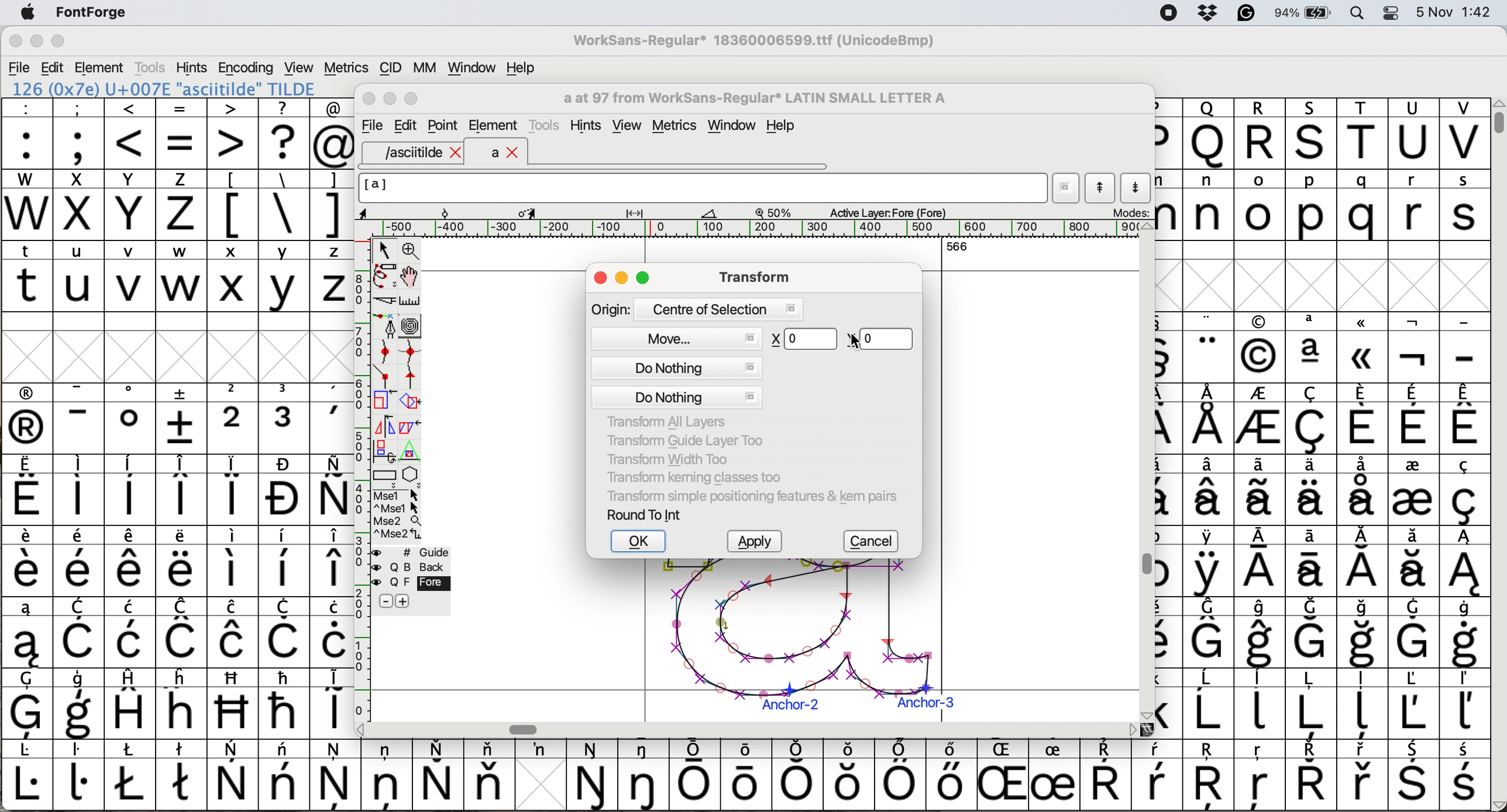 Image resolution: width=1507 pixels, height=812 pixels. I want to click on symbol, so click(232, 632).